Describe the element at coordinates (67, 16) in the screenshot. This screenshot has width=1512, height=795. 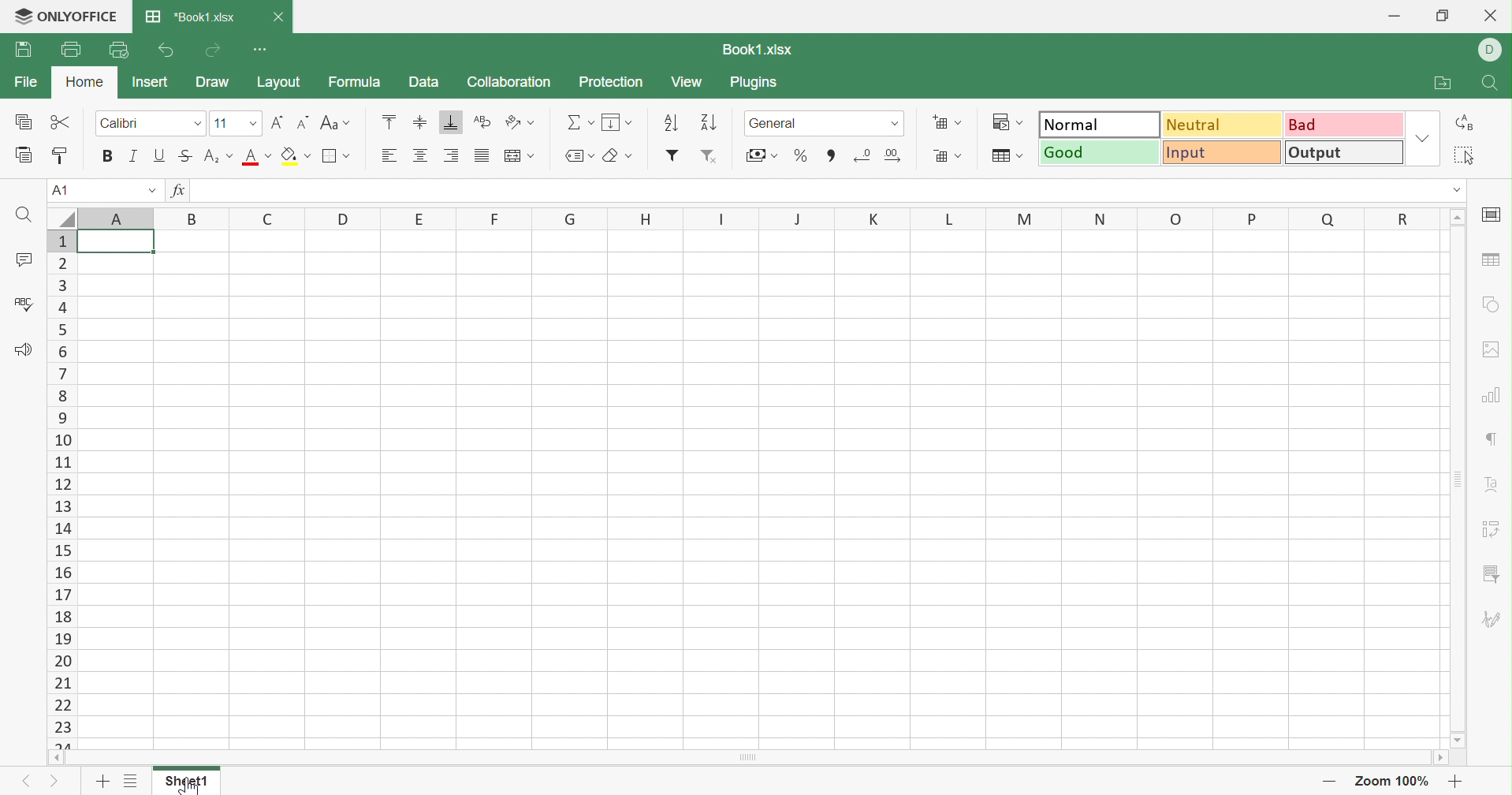
I see `ONLYOFFICE` at that location.